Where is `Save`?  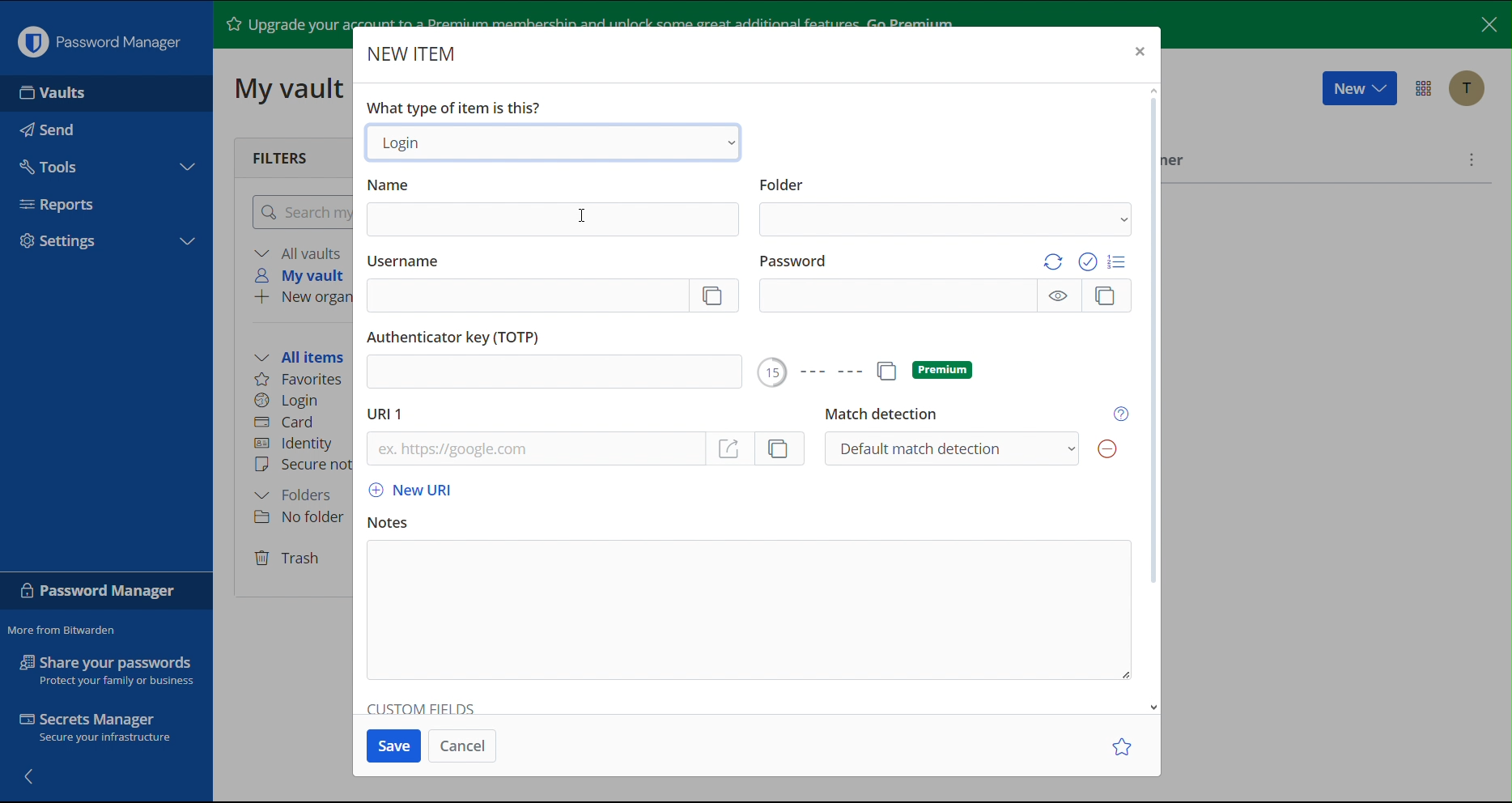 Save is located at coordinates (396, 745).